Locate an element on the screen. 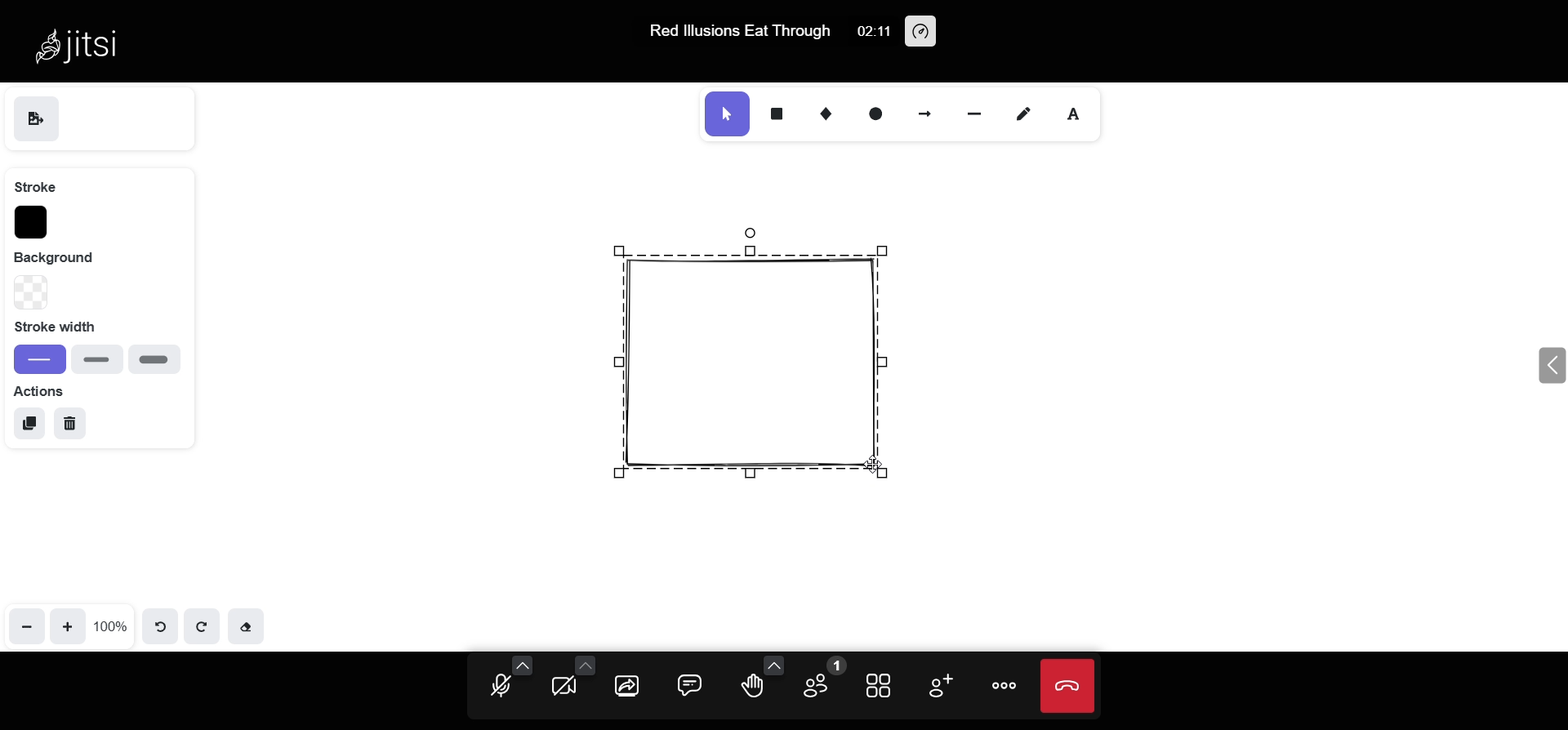 The image size is (1568, 730). line is located at coordinates (974, 110).